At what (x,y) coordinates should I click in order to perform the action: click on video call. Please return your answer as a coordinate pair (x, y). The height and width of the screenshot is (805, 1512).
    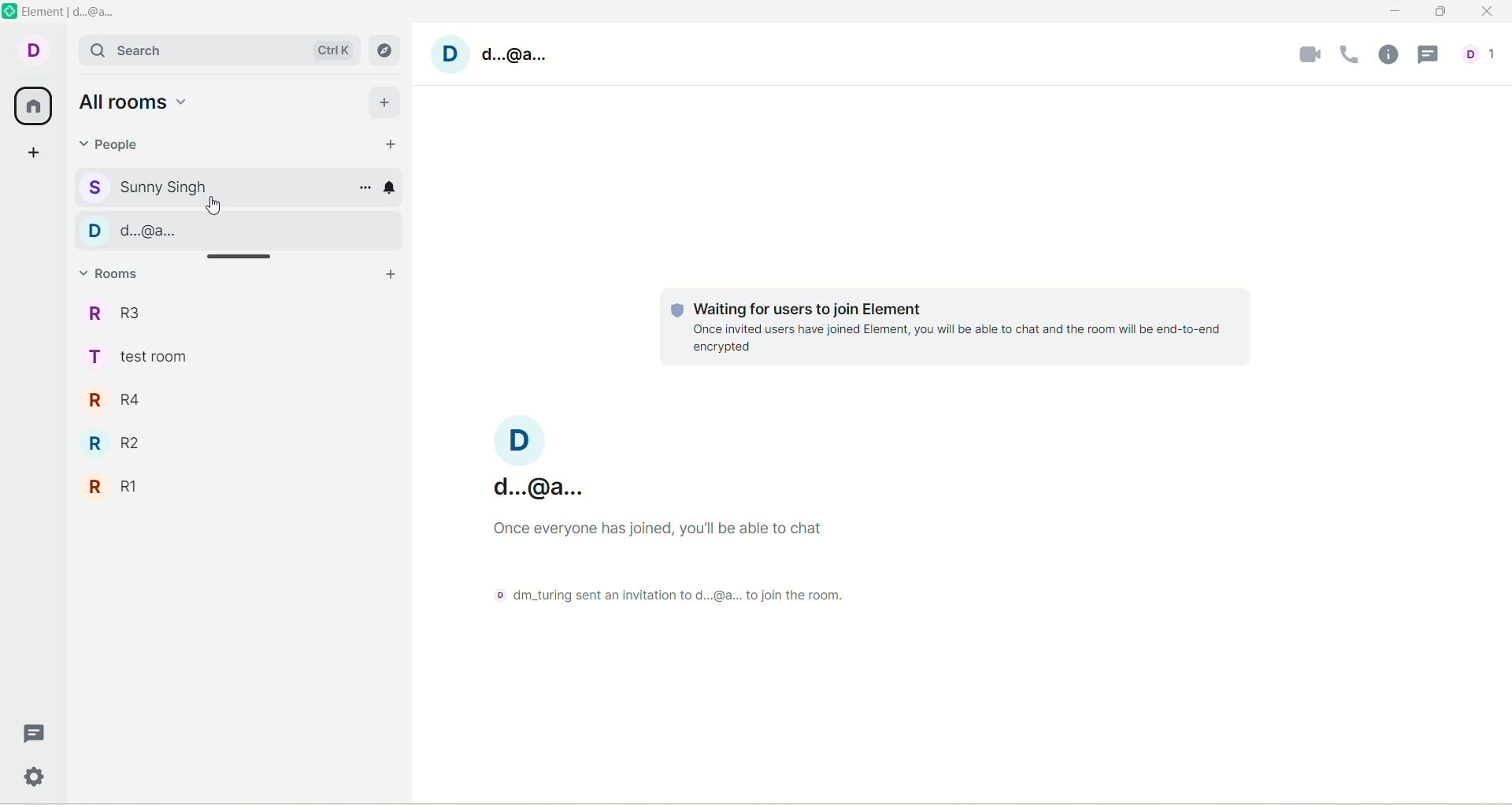
    Looking at the image, I should click on (1310, 54).